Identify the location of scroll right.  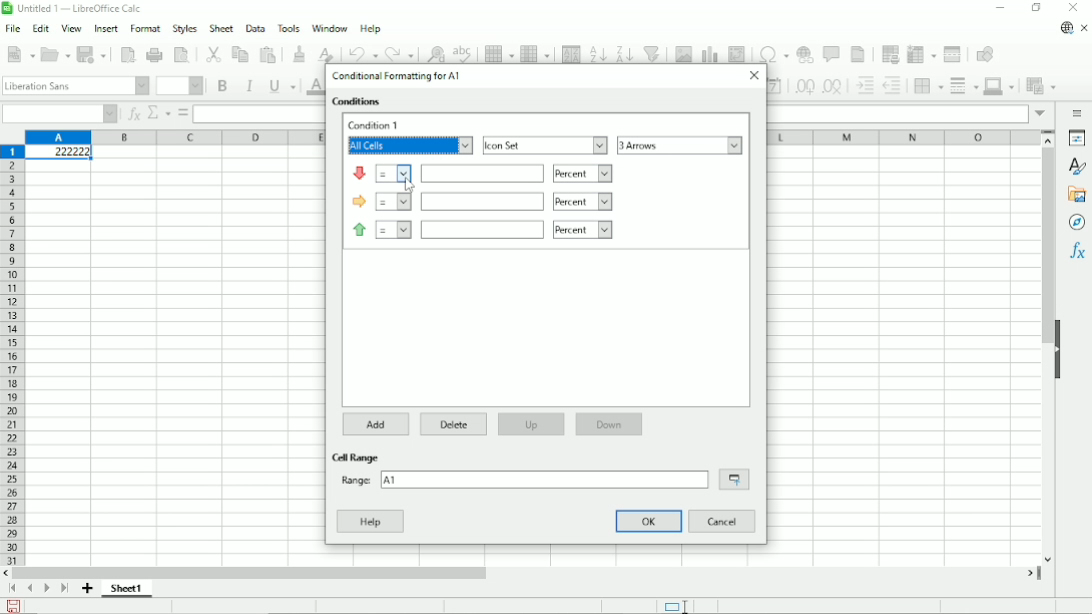
(1030, 572).